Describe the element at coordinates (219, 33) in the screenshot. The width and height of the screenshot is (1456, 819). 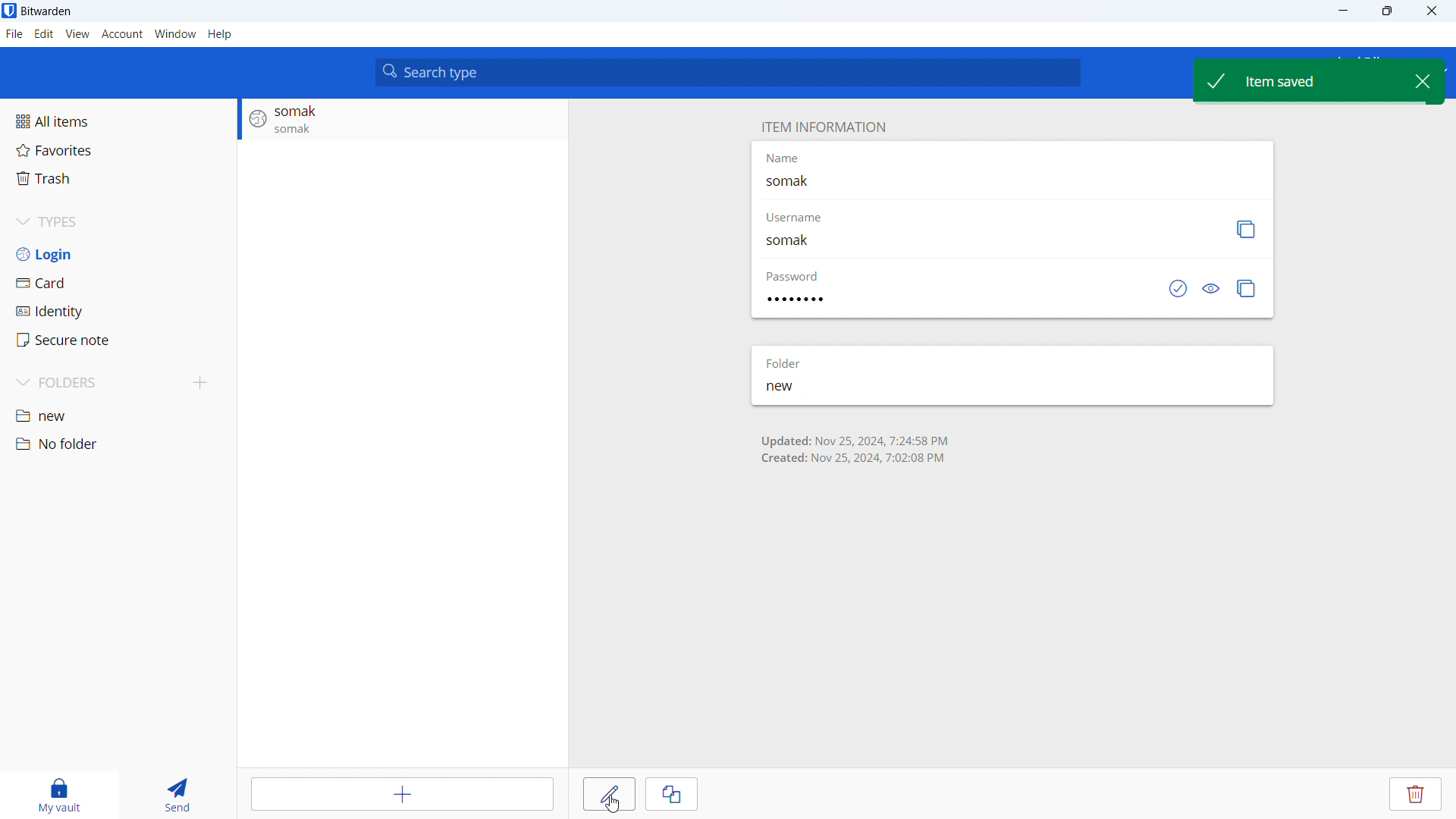
I see `help` at that location.